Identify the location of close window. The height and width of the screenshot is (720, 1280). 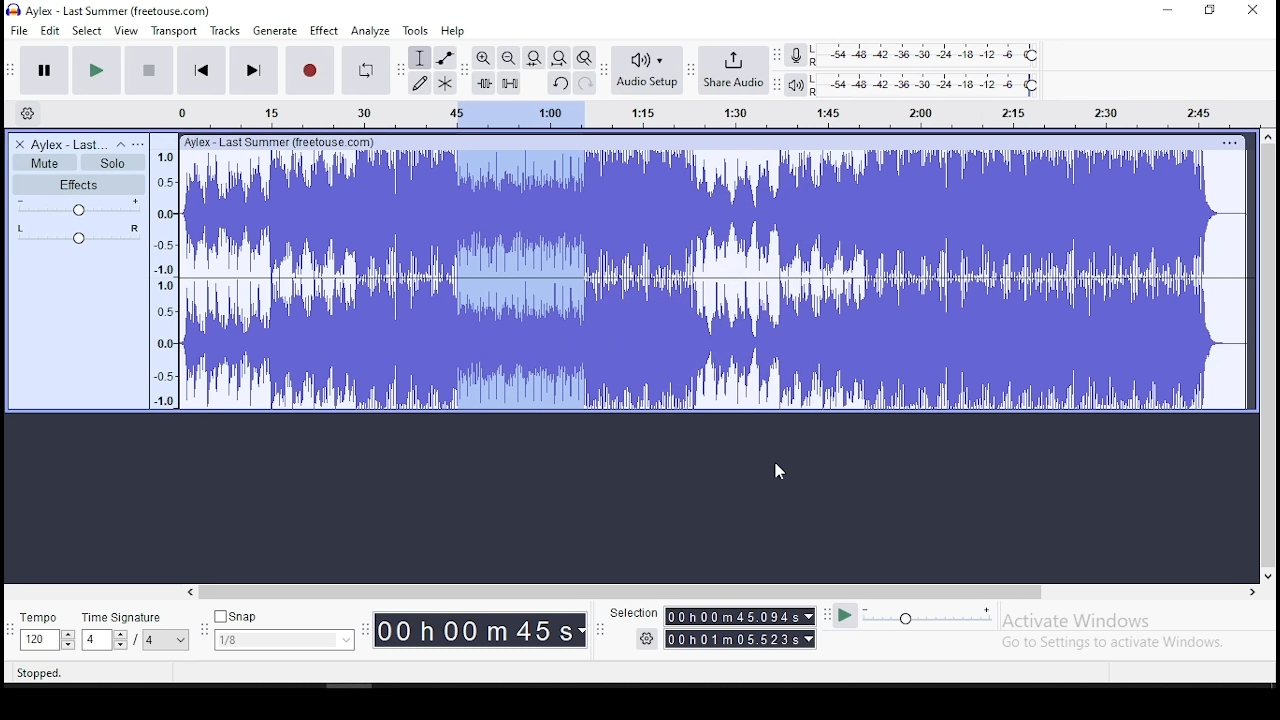
(1253, 11).